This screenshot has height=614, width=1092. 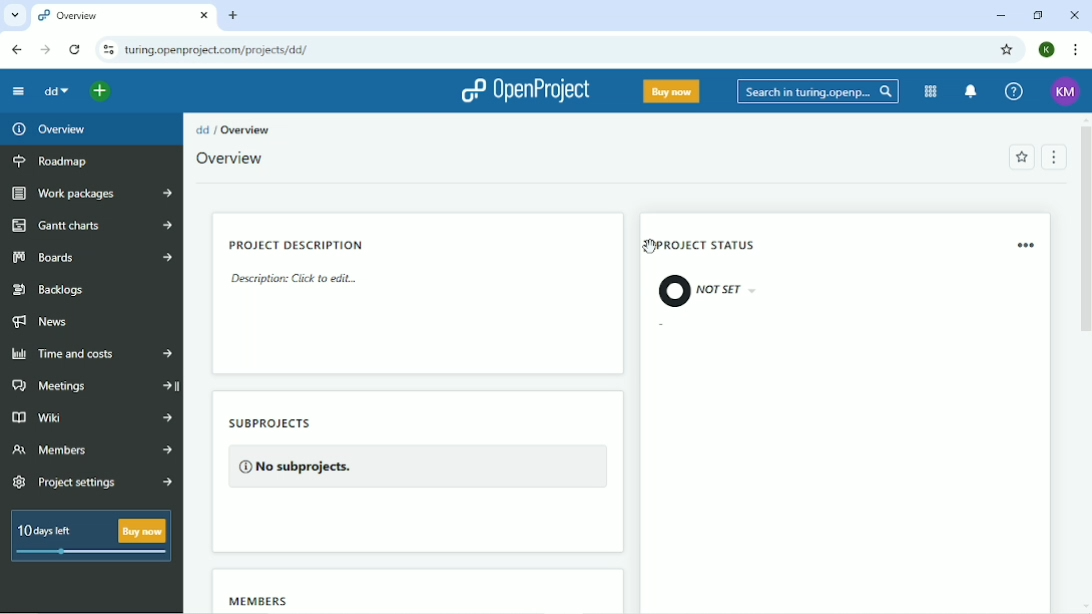 I want to click on Back, so click(x=17, y=49).